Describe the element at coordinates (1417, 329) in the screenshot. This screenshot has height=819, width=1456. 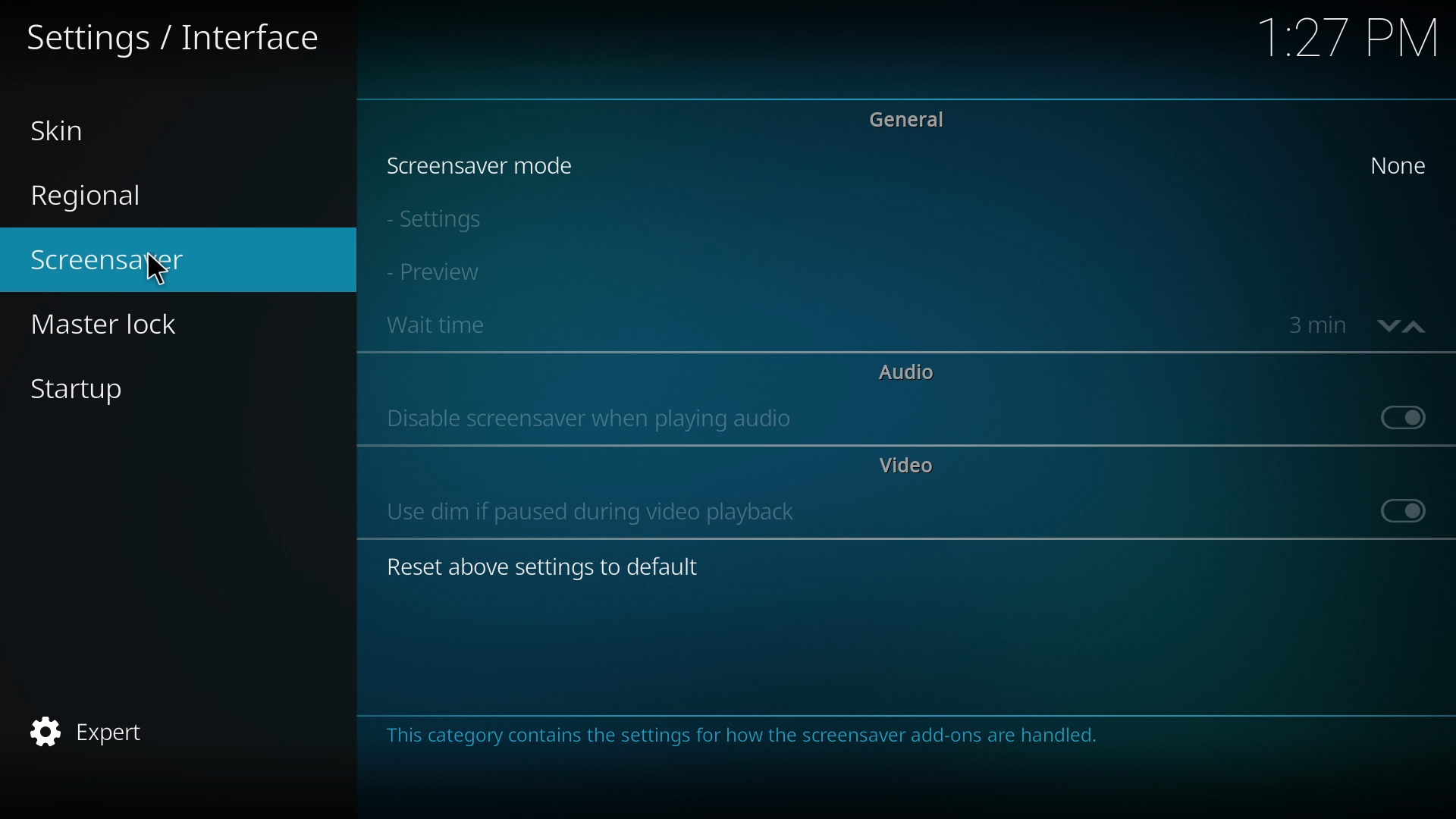
I see `increase time` at that location.